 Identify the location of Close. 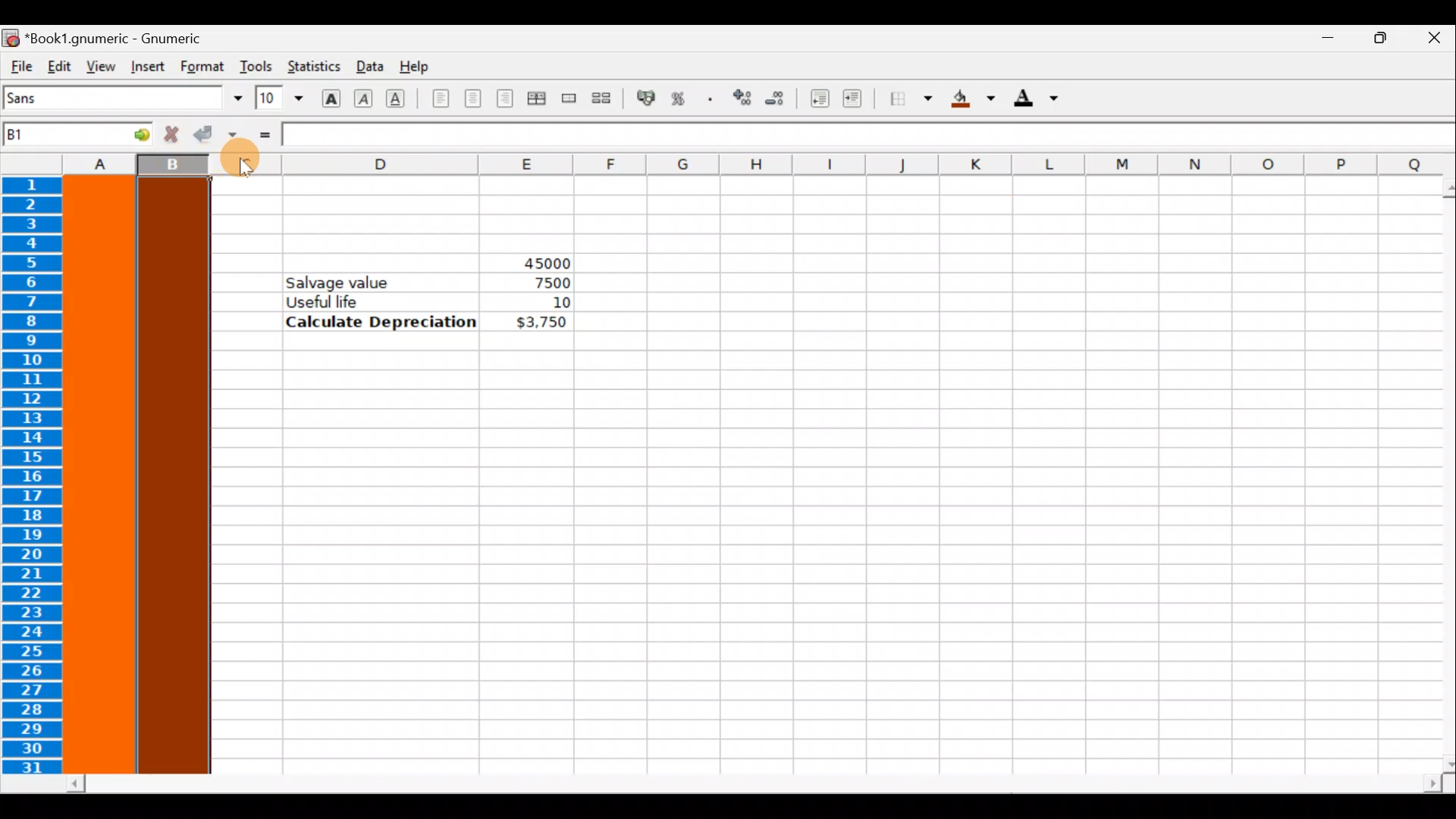
(1433, 40).